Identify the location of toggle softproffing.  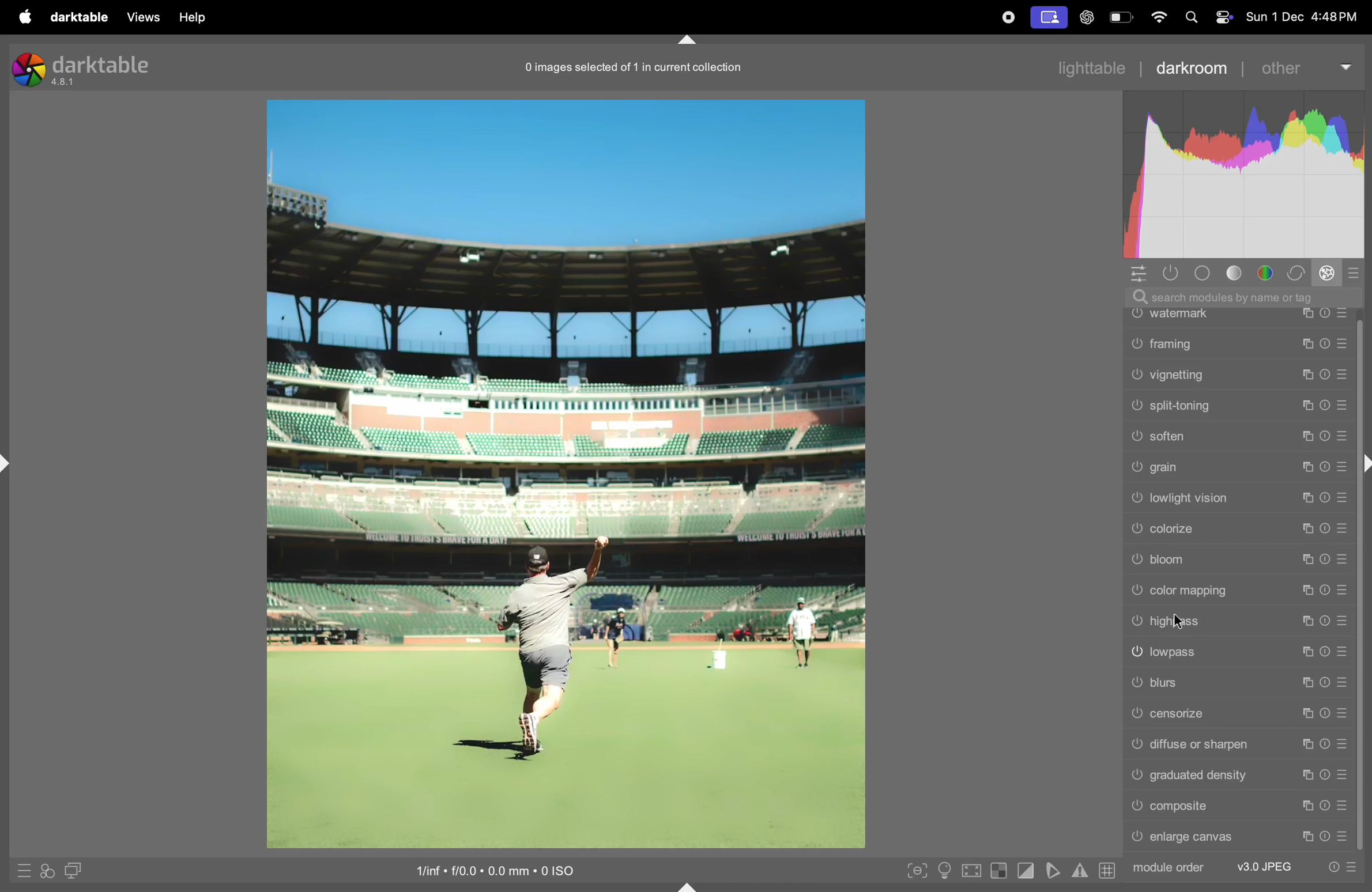
(1051, 871).